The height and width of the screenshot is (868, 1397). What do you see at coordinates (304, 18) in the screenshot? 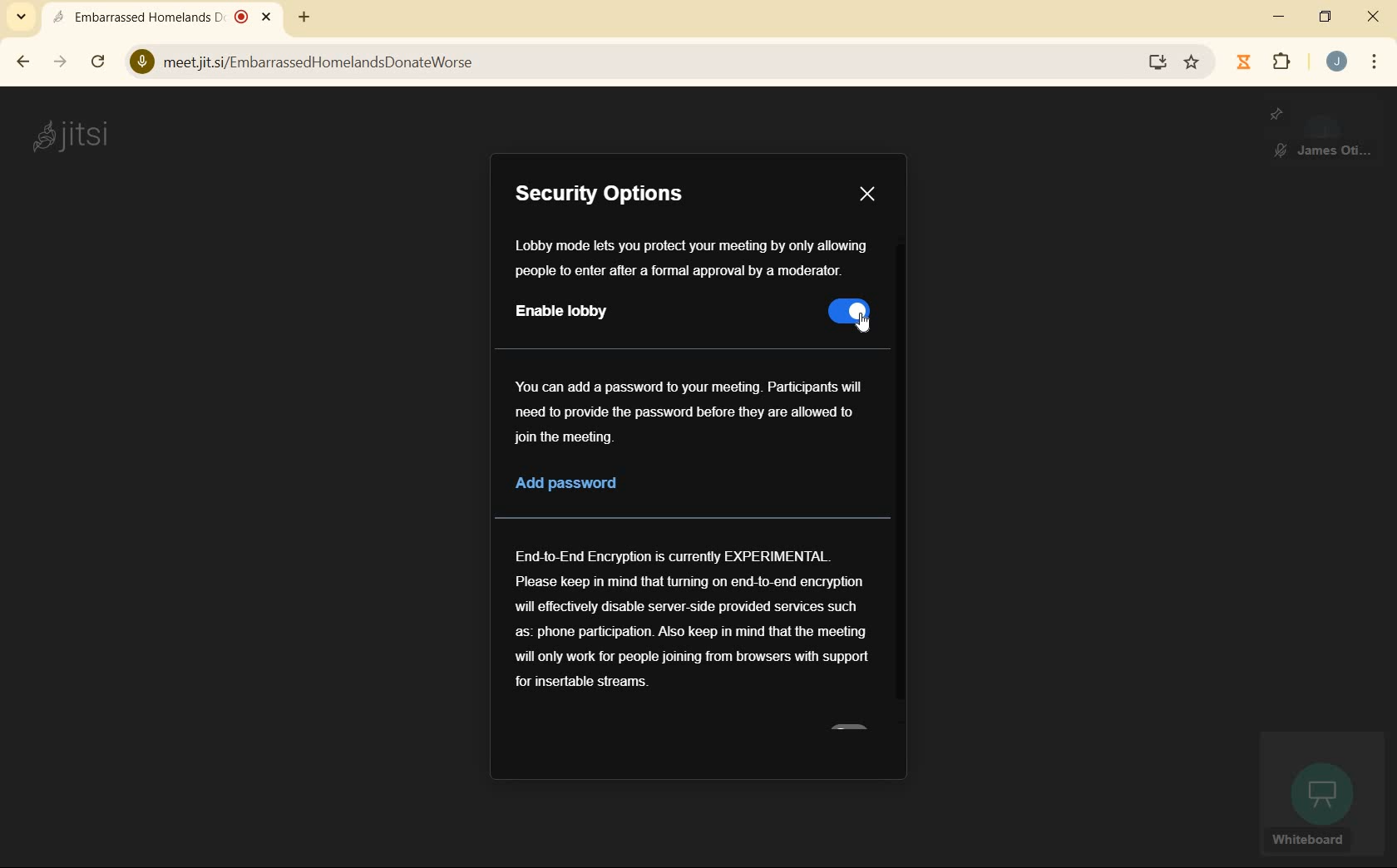
I see `new tab` at bounding box center [304, 18].